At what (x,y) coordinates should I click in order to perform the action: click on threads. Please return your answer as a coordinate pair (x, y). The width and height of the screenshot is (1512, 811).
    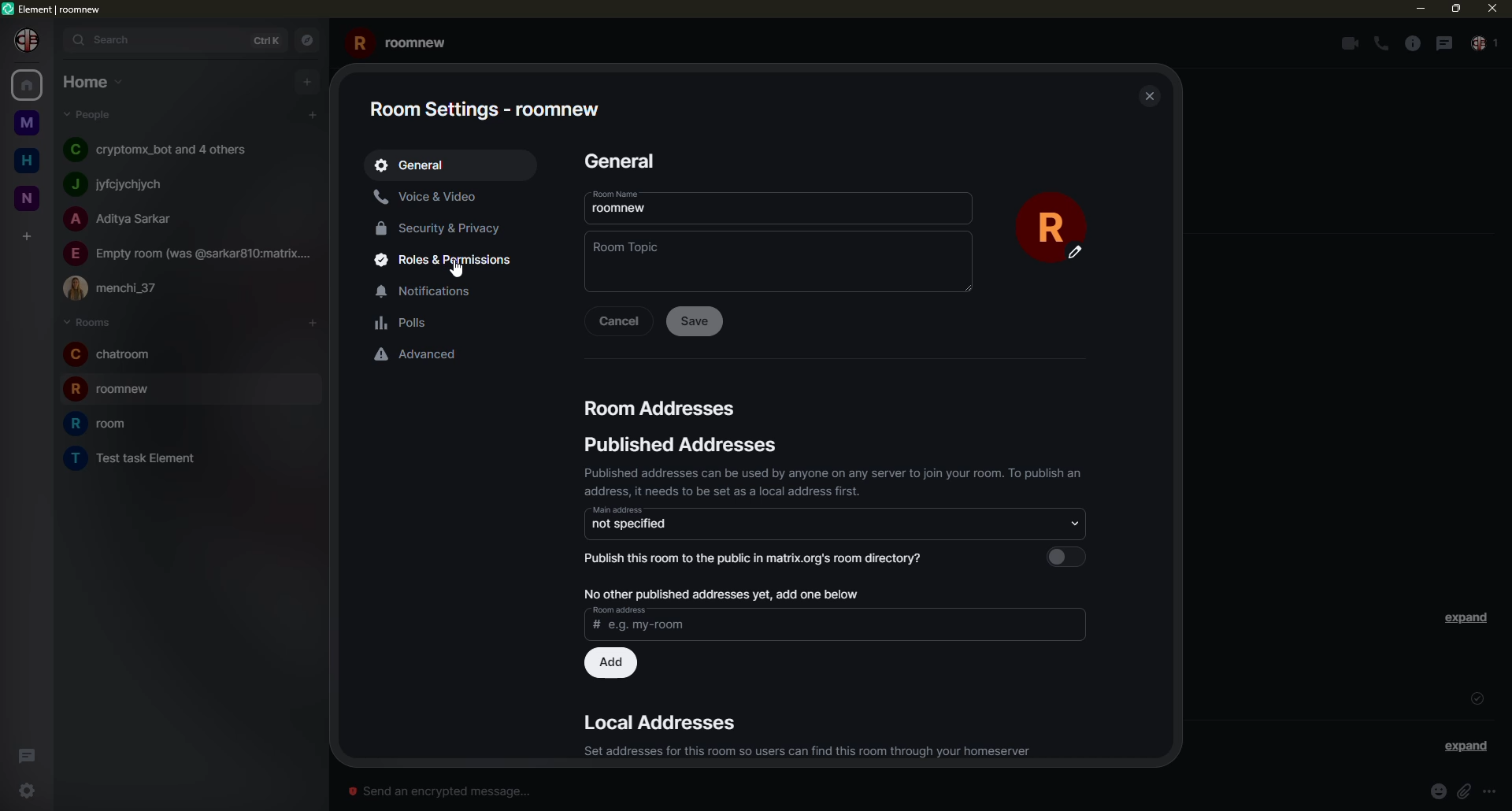
    Looking at the image, I should click on (1443, 43).